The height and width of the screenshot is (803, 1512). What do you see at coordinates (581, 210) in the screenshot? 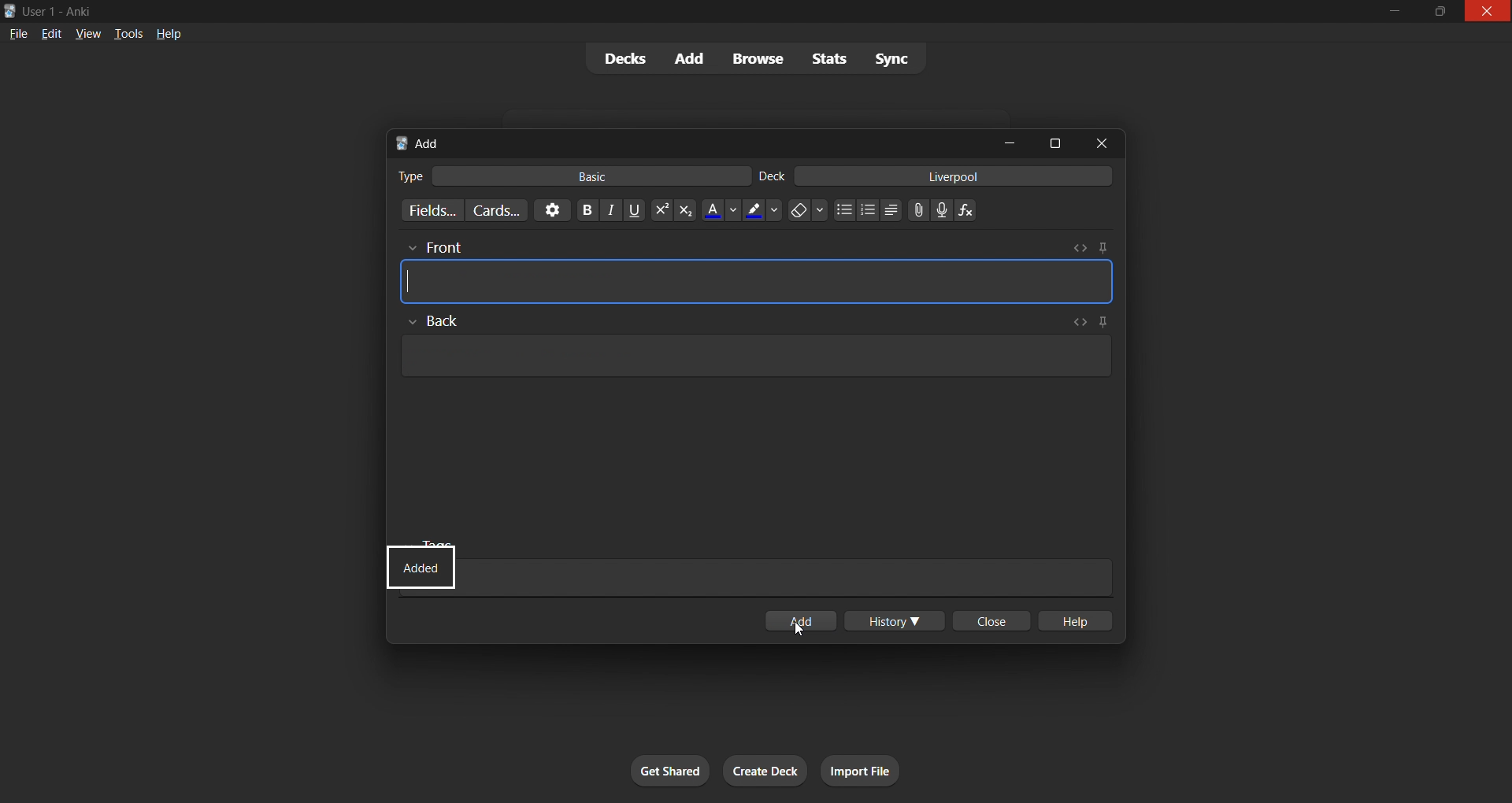
I see `bold` at bounding box center [581, 210].